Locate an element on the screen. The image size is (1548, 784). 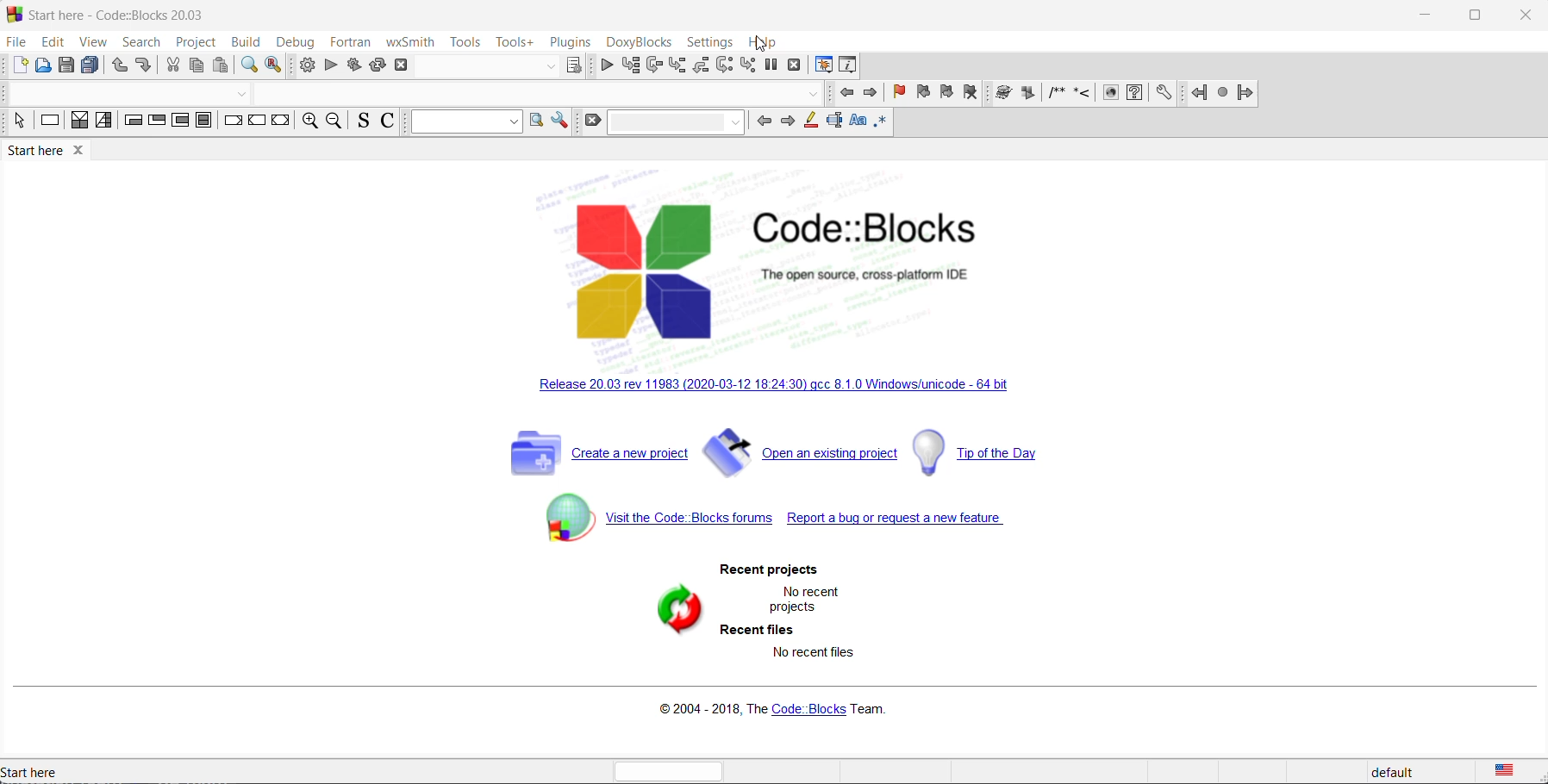
icon is located at coordinates (1030, 95).